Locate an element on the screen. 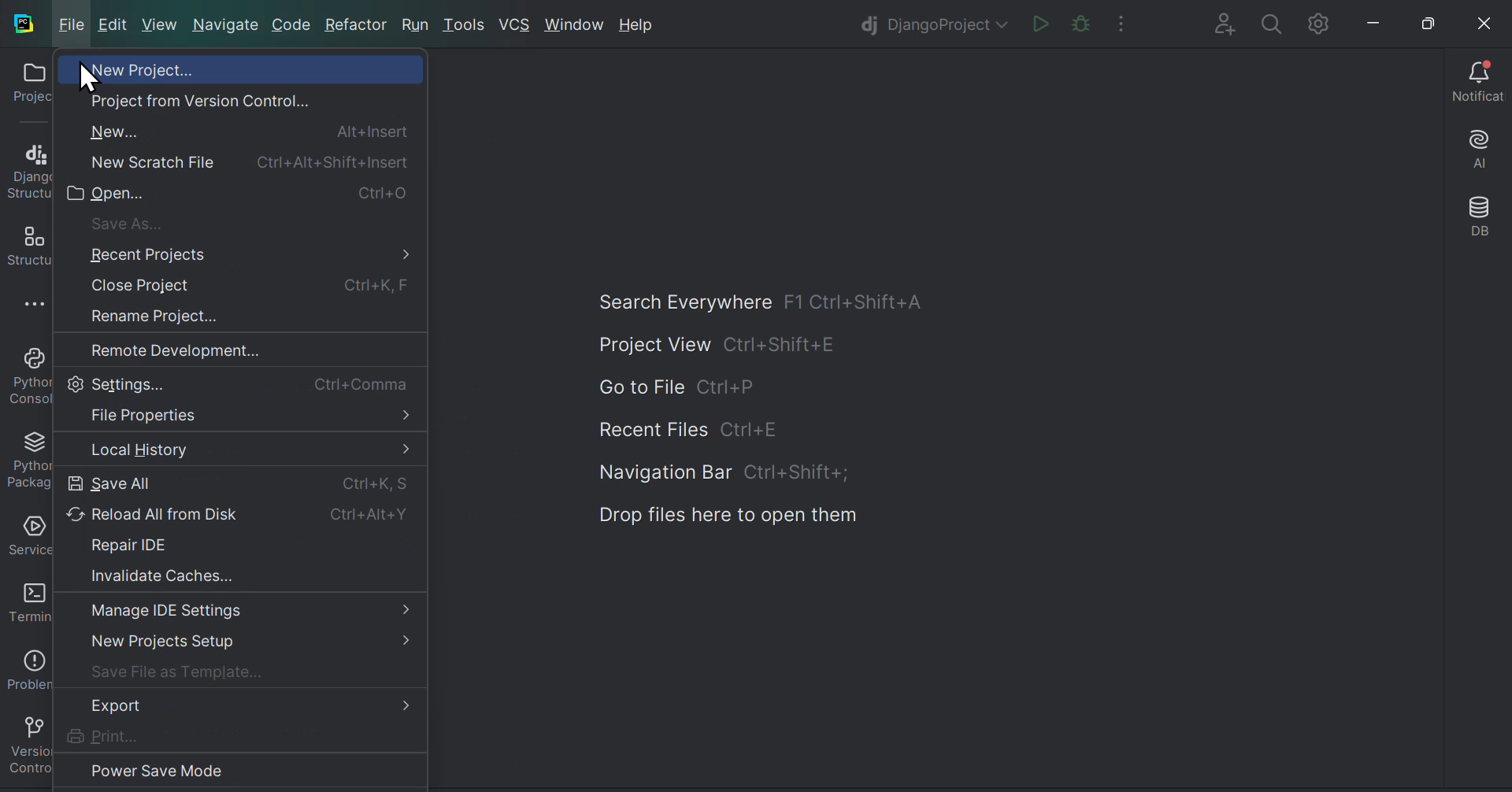 The height and width of the screenshot is (792, 1512). Reload all from disc is located at coordinates (244, 515).